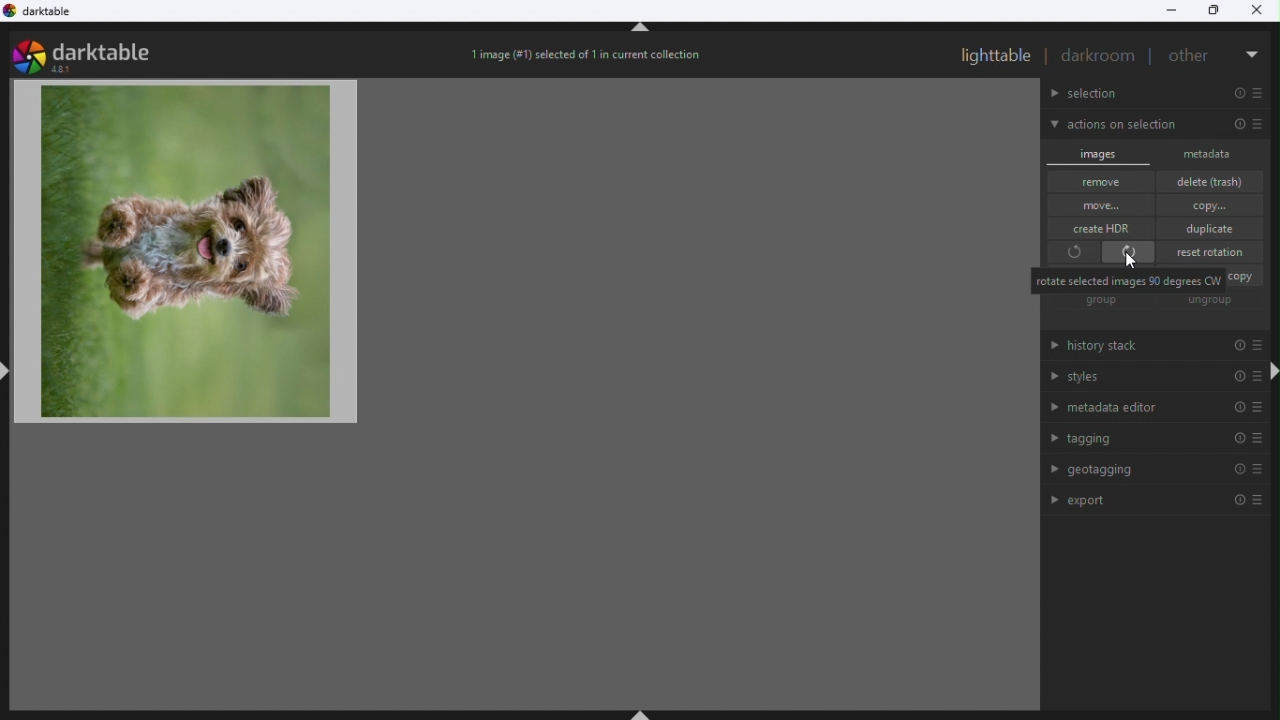  What do you see at coordinates (1214, 251) in the screenshot?
I see `reset rotation` at bounding box center [1214, 251].